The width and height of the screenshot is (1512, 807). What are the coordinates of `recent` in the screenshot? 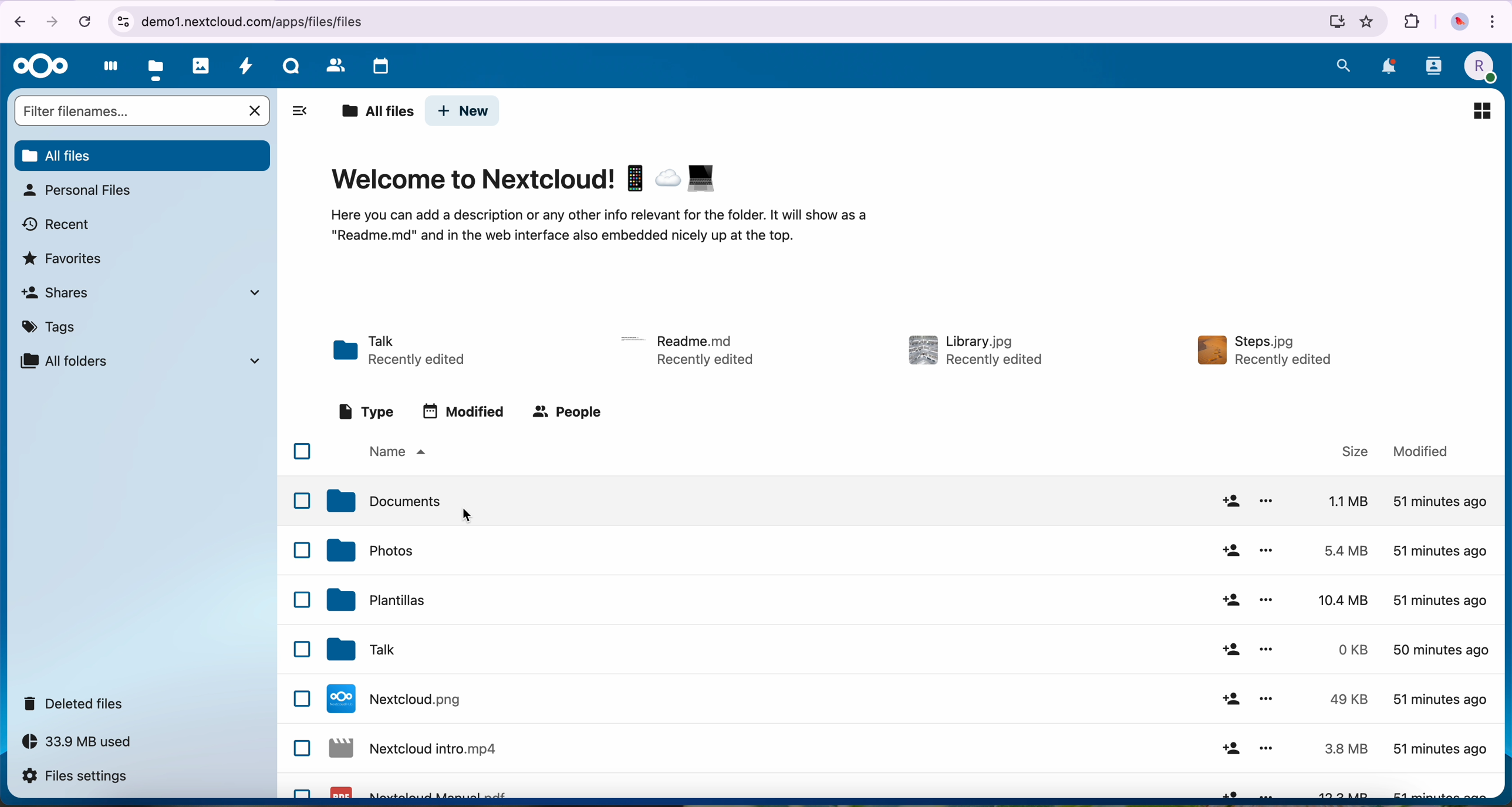 It's located at (58, 223).